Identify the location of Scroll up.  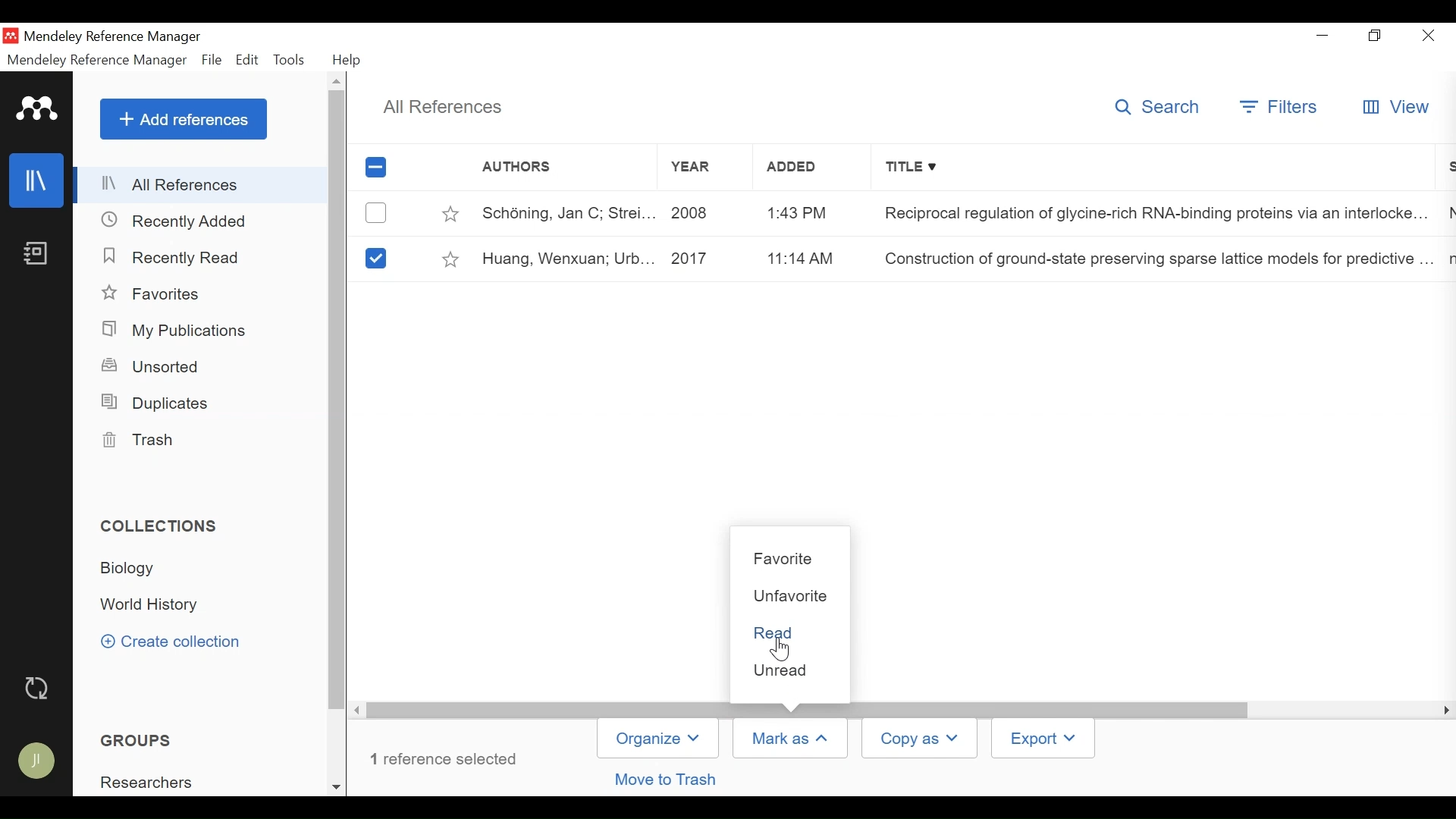
(338, 81).